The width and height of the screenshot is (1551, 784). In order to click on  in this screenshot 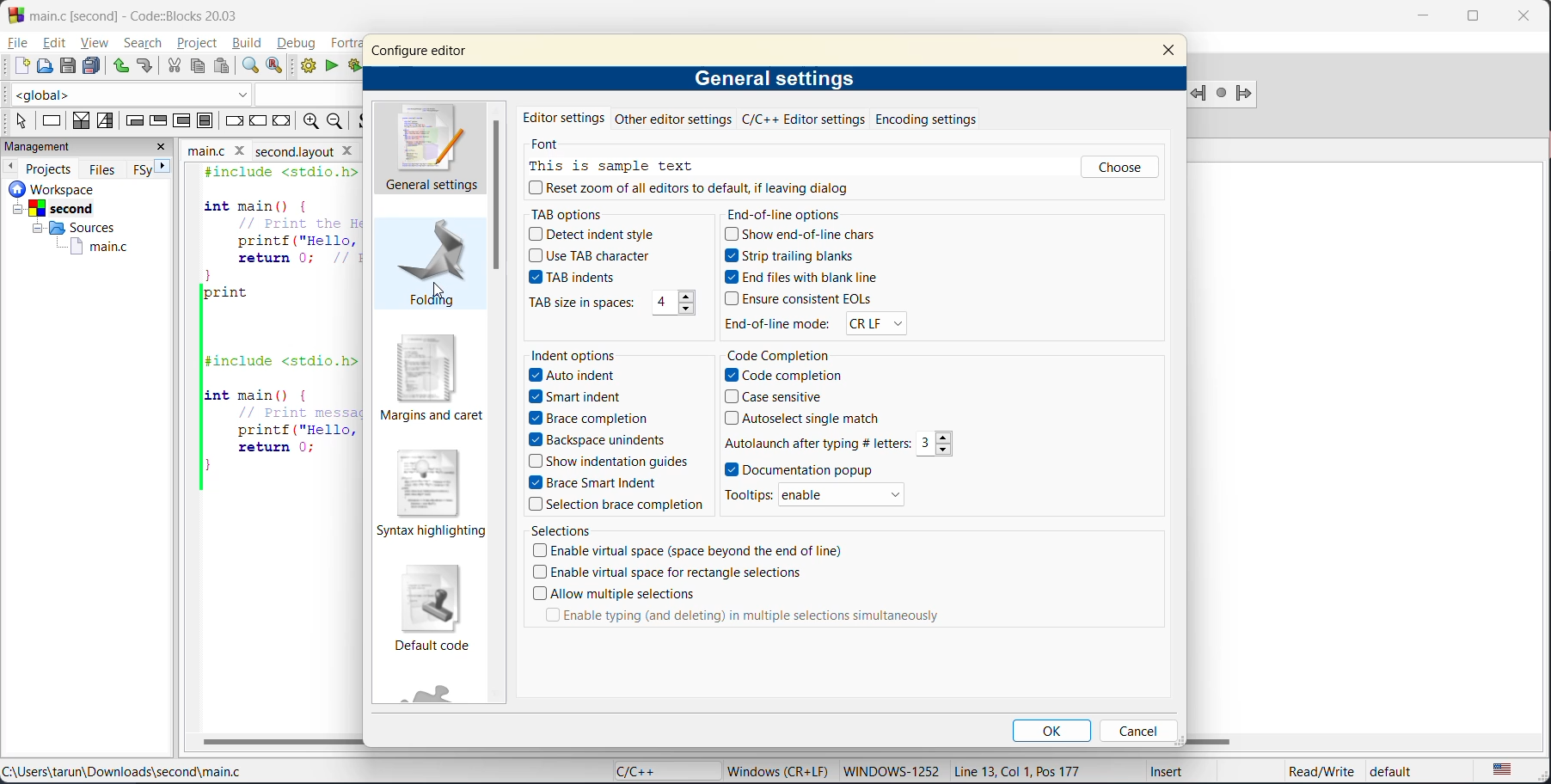, I will do `click(578, 303)`.